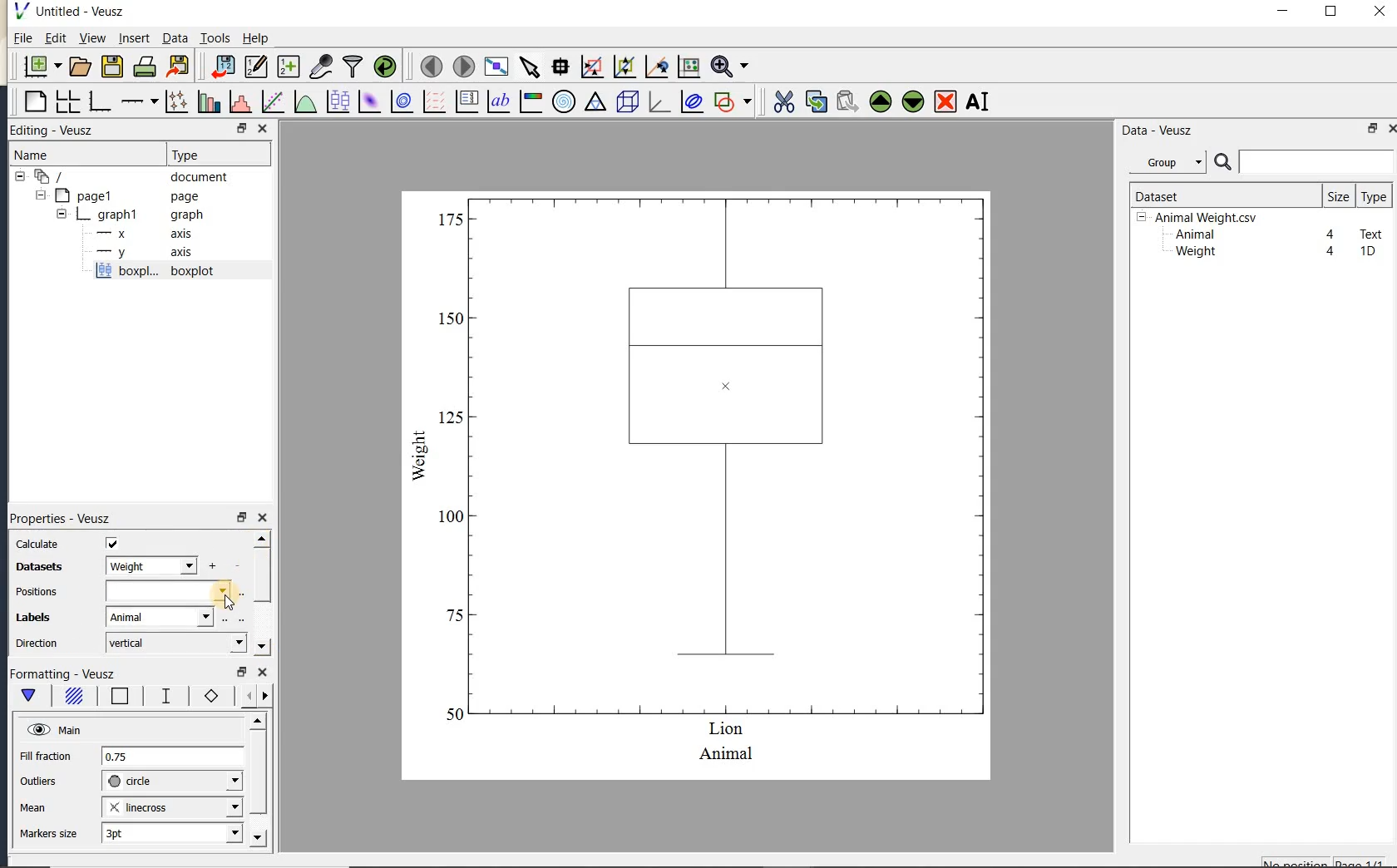  Describe the element at coordinates (34, 806) in the screenshot. I see `mean` at that location.